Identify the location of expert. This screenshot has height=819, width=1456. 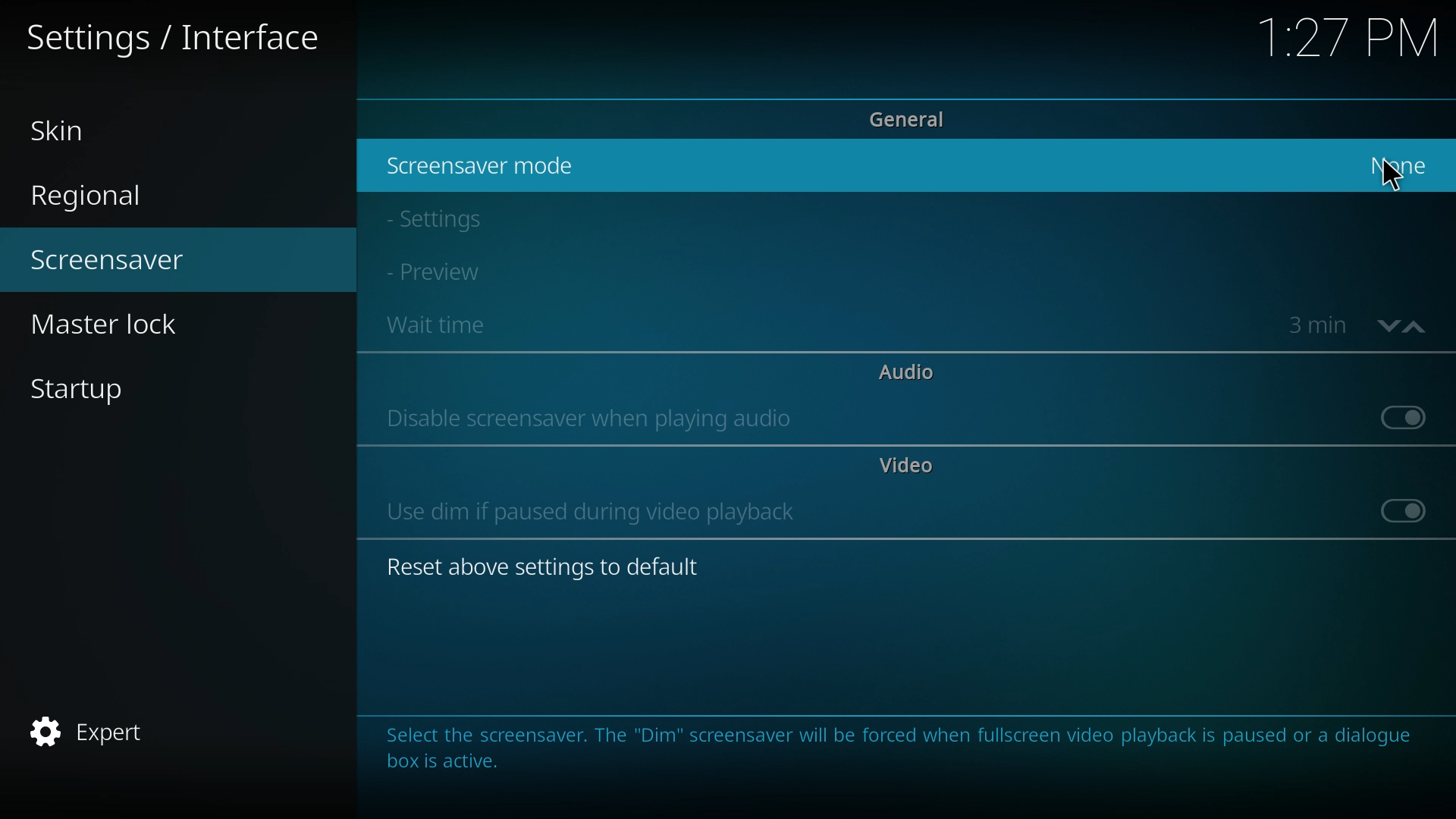
(121, 730).